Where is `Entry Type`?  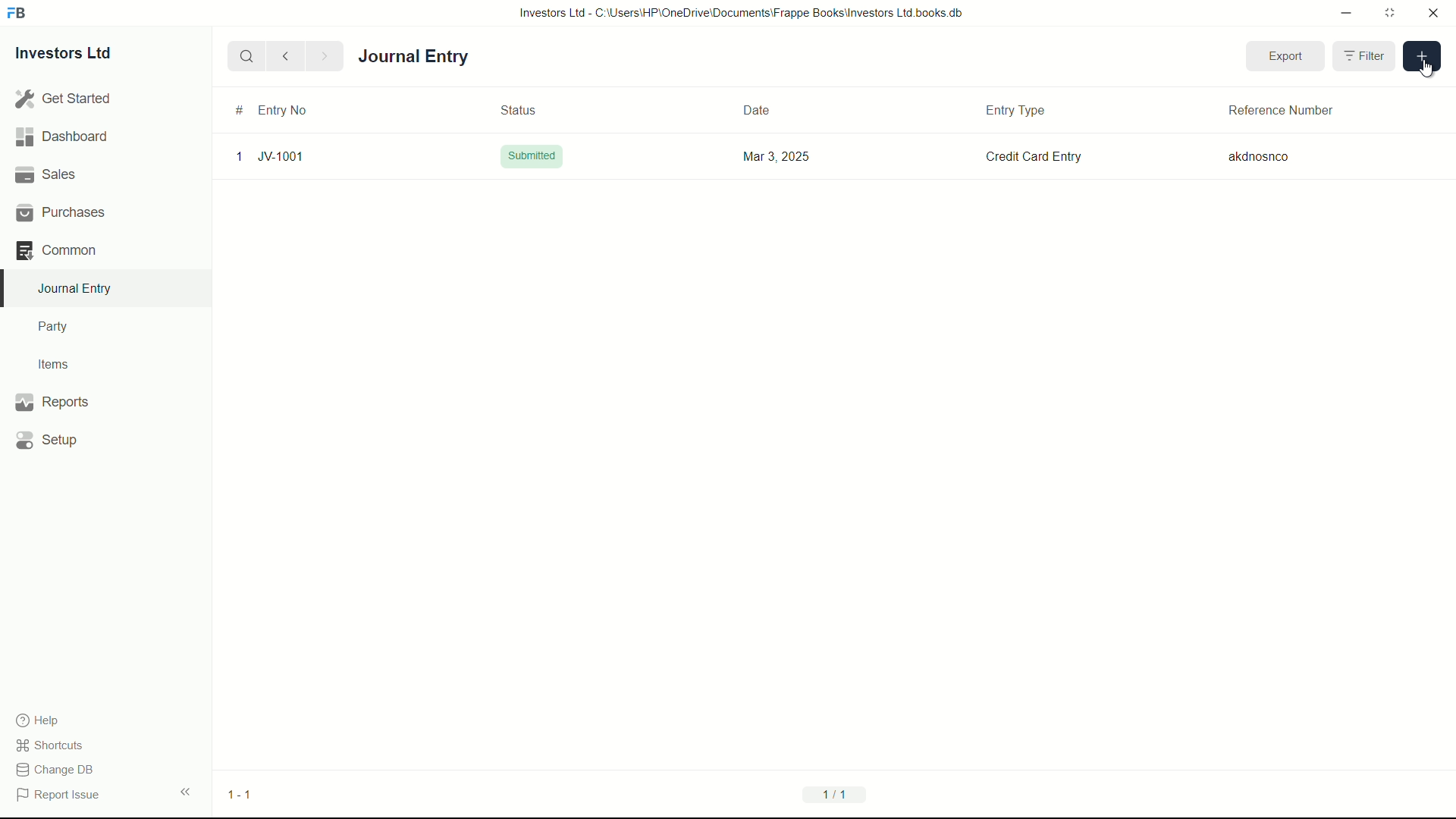 Entry Type is located at coordinates (1017, 110).